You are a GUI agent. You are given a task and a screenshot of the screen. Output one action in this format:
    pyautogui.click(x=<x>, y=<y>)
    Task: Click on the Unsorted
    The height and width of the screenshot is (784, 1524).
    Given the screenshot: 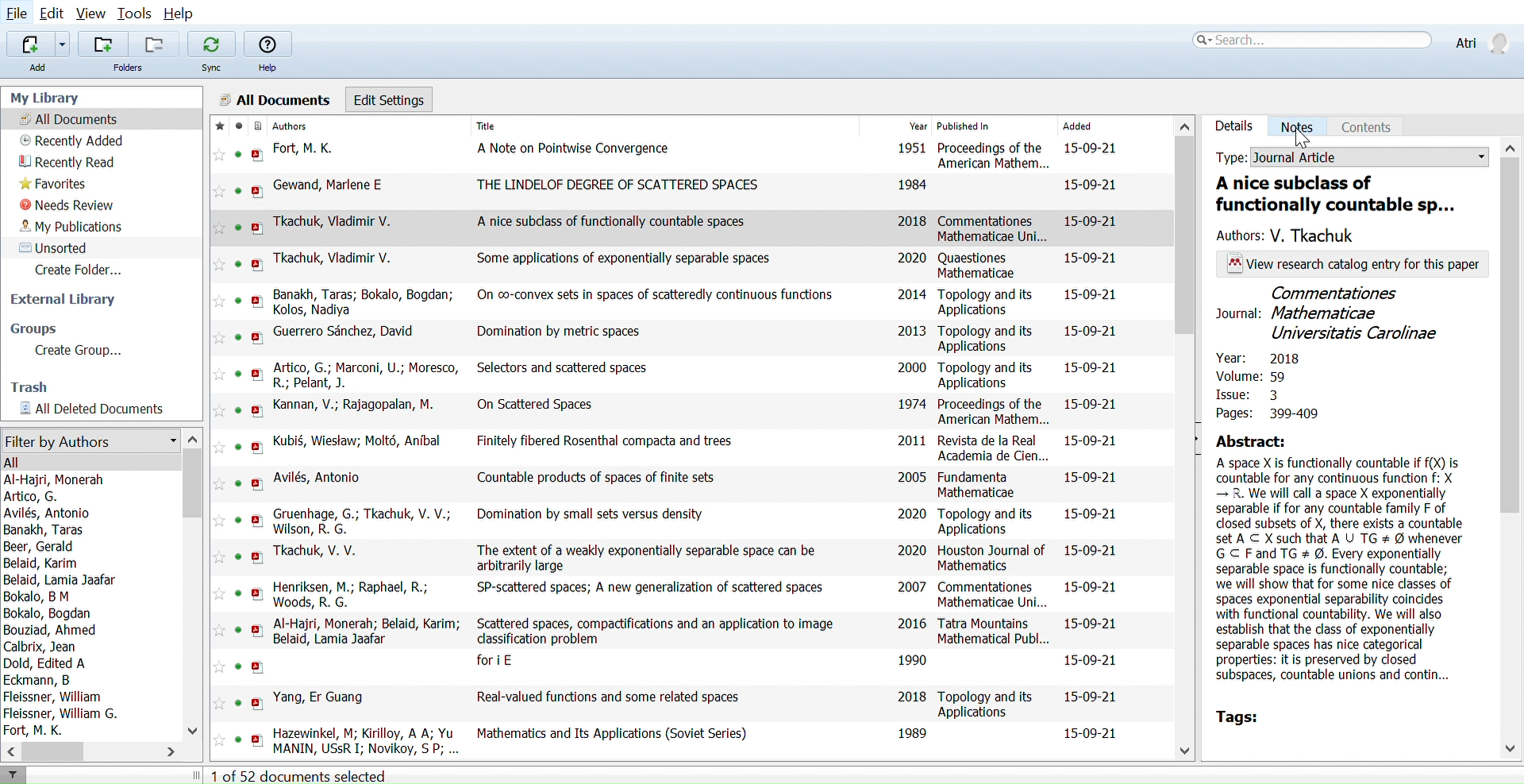 What is the action you would take?
    pyautogui.click(x=55, y=248)
    